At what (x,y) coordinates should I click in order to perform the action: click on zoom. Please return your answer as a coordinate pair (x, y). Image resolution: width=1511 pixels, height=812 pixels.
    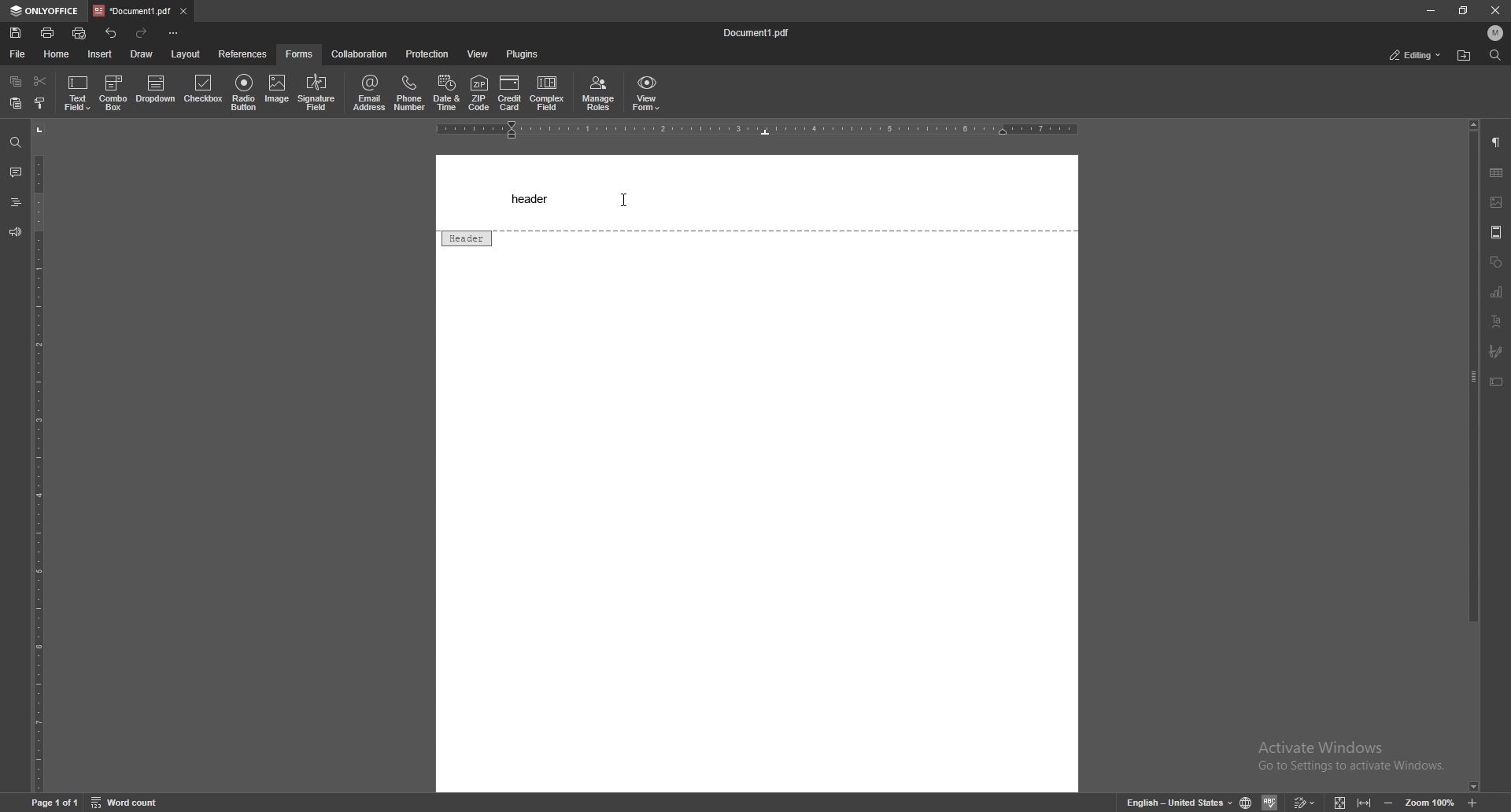
    Looking at the image, I should click on (1432, 802).